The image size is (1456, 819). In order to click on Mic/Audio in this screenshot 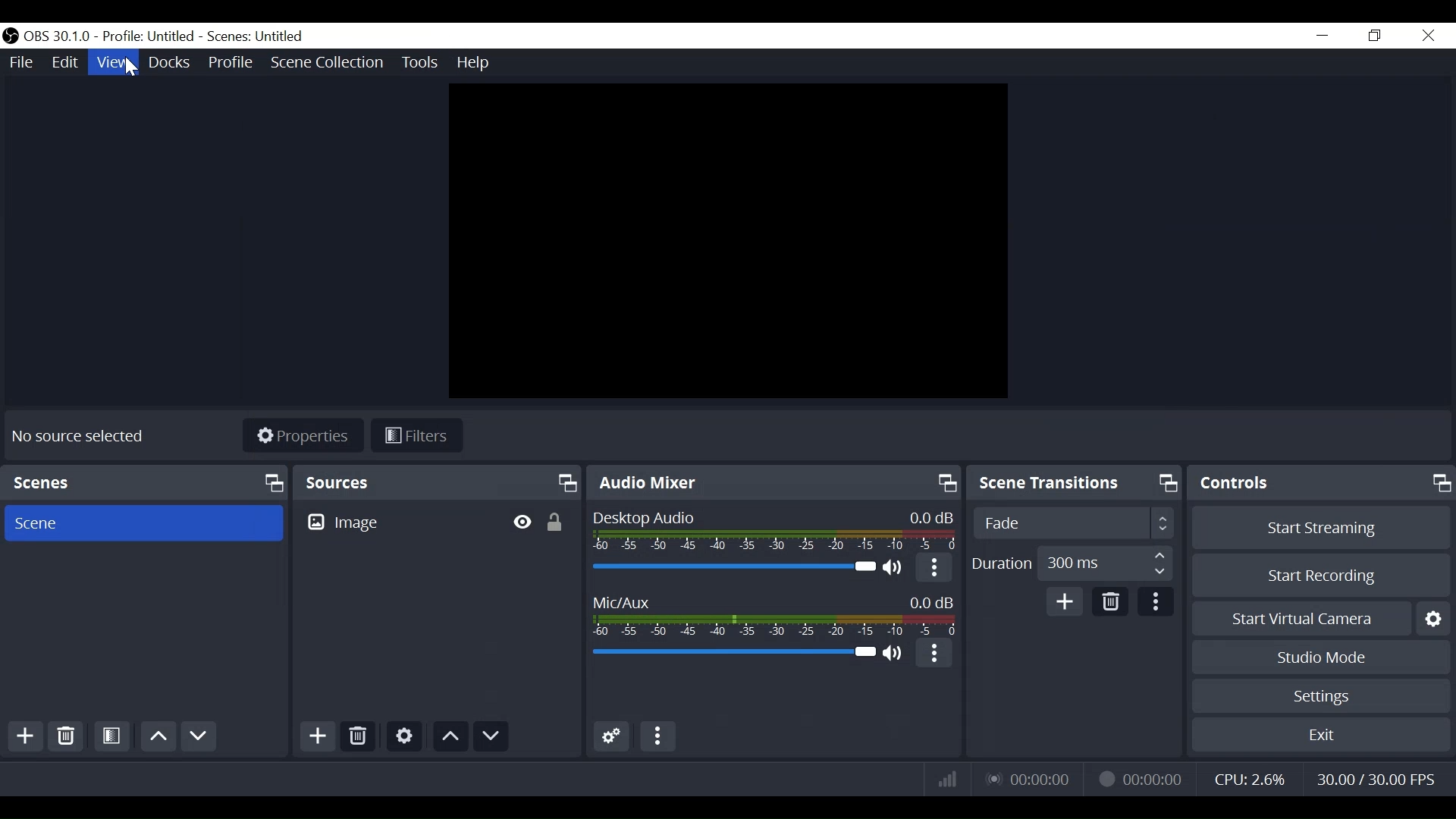, I will do `click(735, 654)`.